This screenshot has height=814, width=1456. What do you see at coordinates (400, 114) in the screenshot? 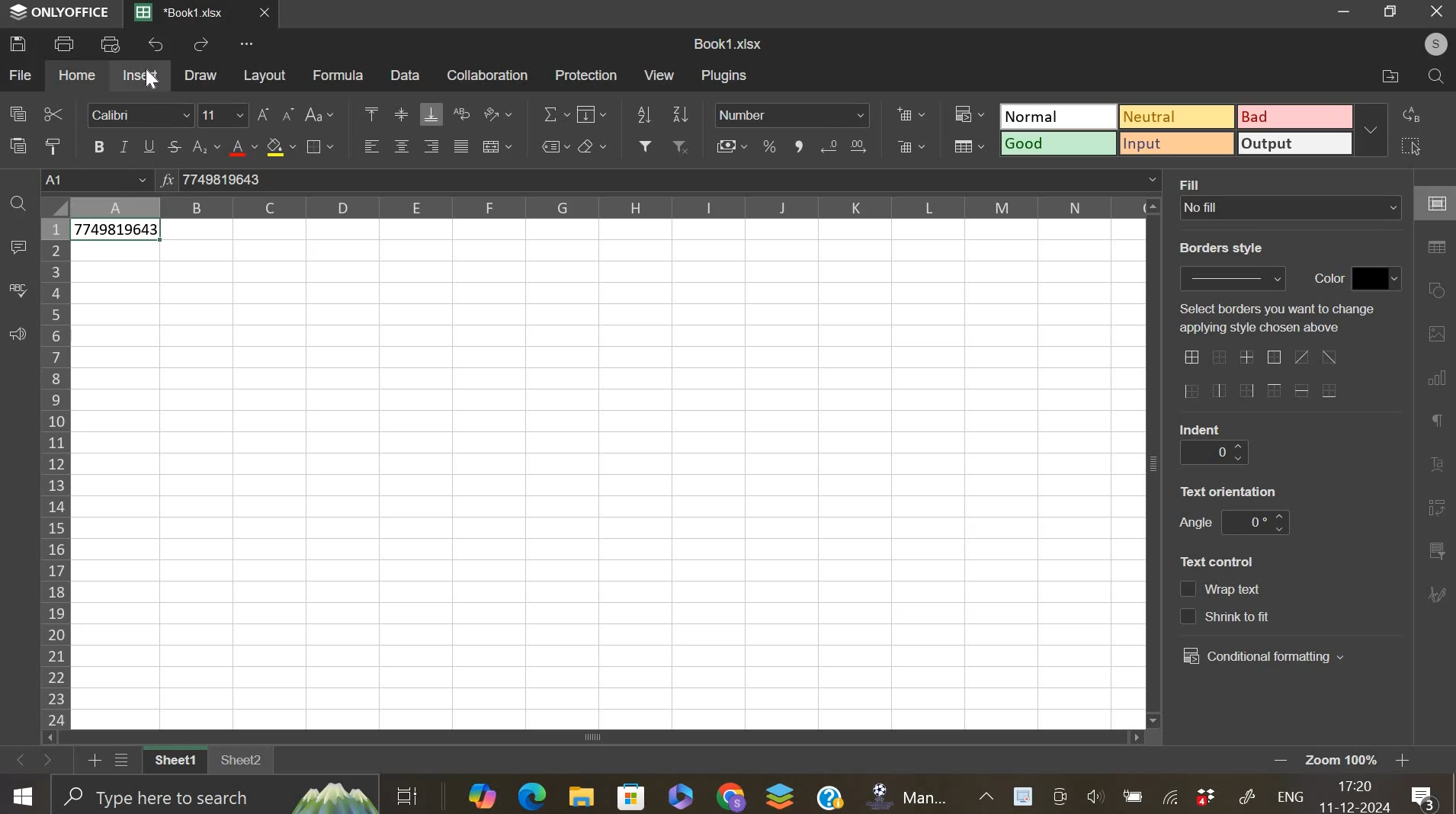
I see `align vertically` at bounding box center [400, 114].